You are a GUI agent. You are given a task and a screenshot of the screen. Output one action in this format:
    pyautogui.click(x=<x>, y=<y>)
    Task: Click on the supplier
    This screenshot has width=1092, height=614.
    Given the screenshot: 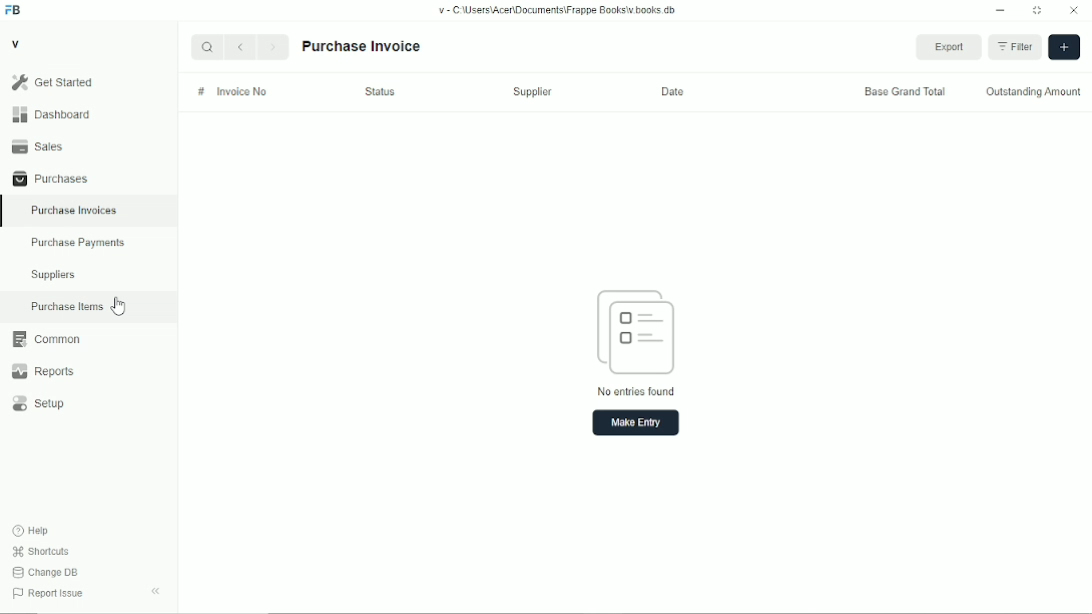 What is the action you would take?
    pyautogui.click(x=532, y=91)
    